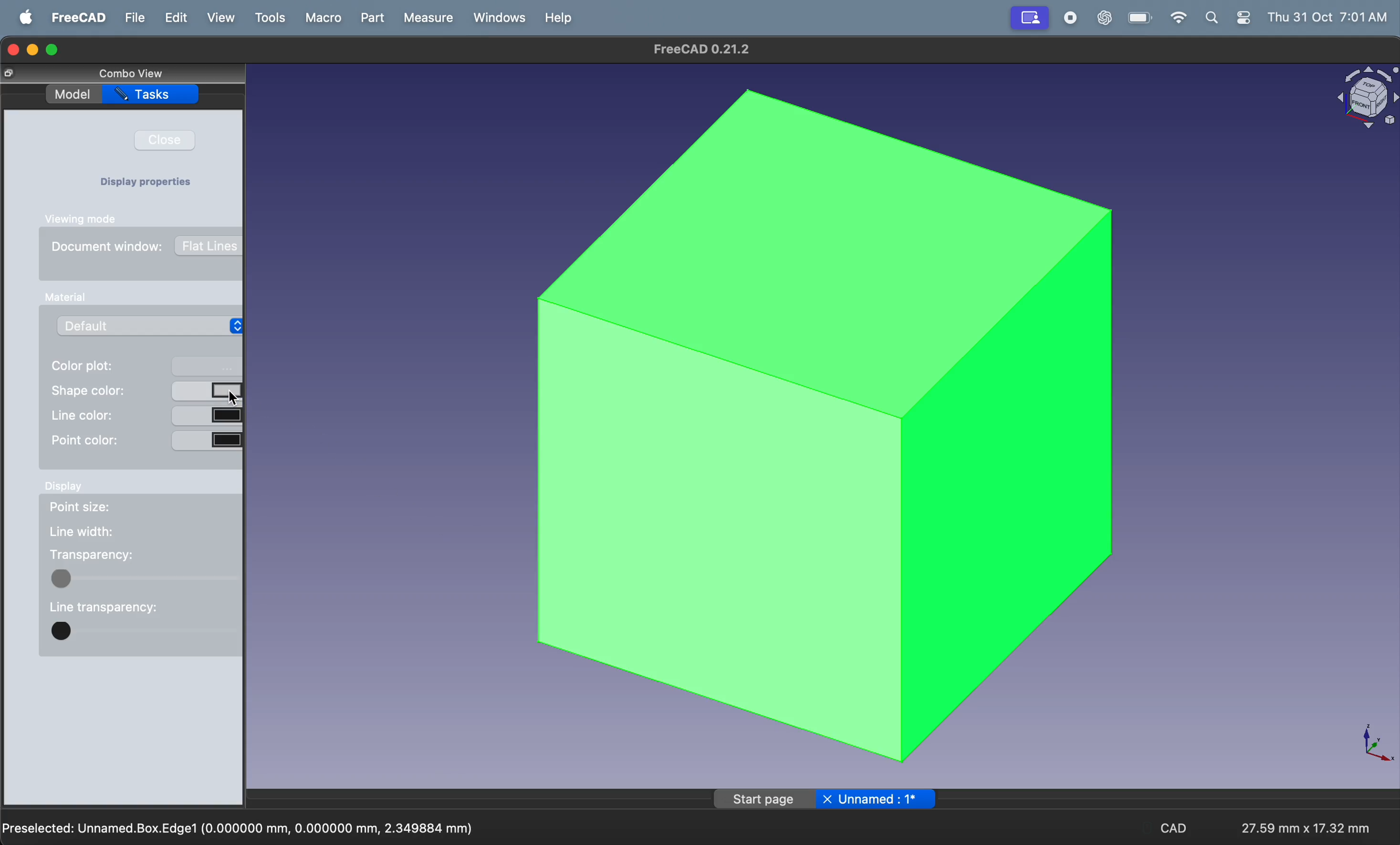  Describe the element at coordinates (87, 219) in the screenshot. I see `vewing mode` at that location.